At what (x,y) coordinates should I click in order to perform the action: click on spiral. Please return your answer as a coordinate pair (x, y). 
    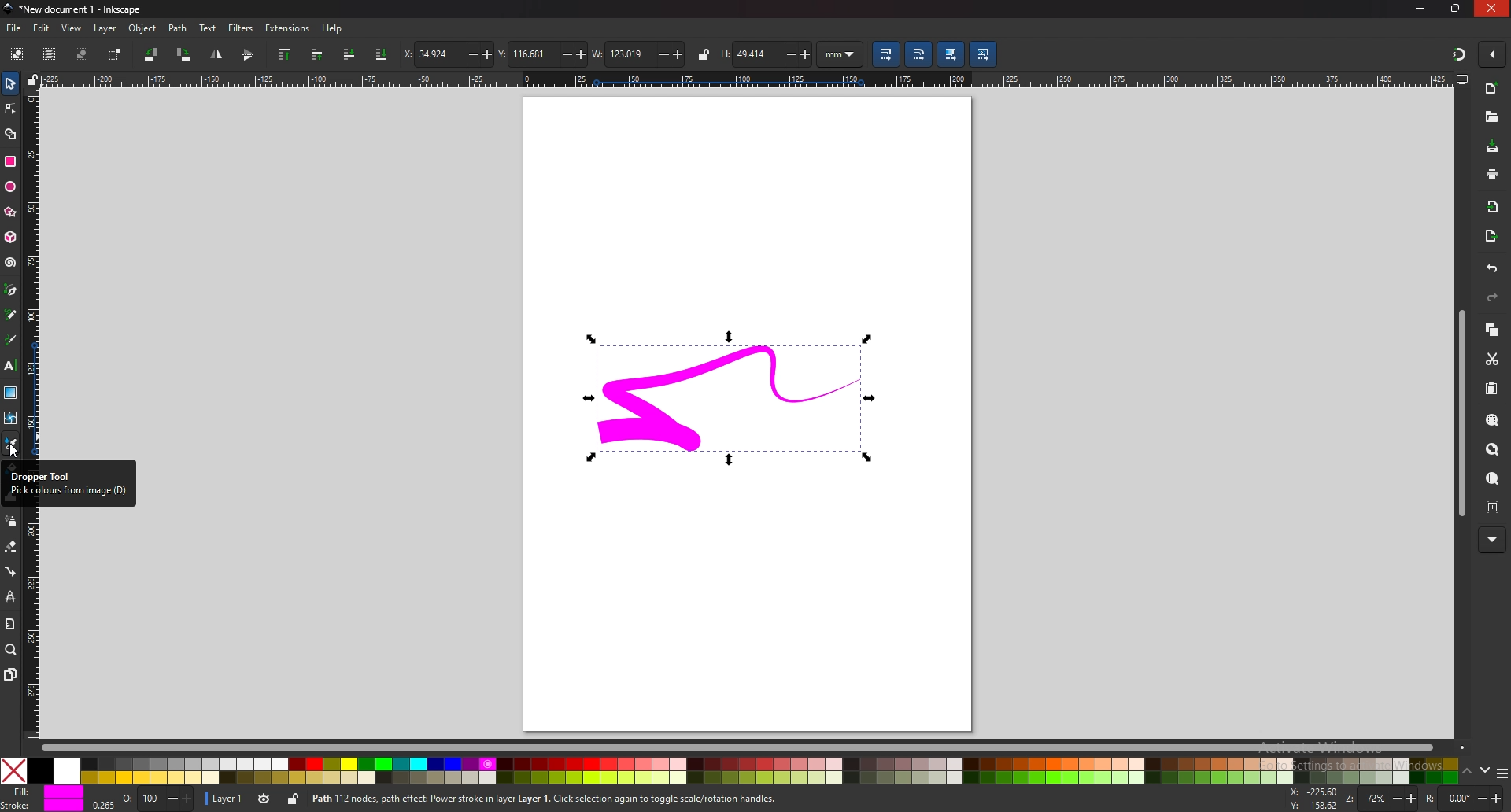
    Looking at the image, I should click on (11, 262).